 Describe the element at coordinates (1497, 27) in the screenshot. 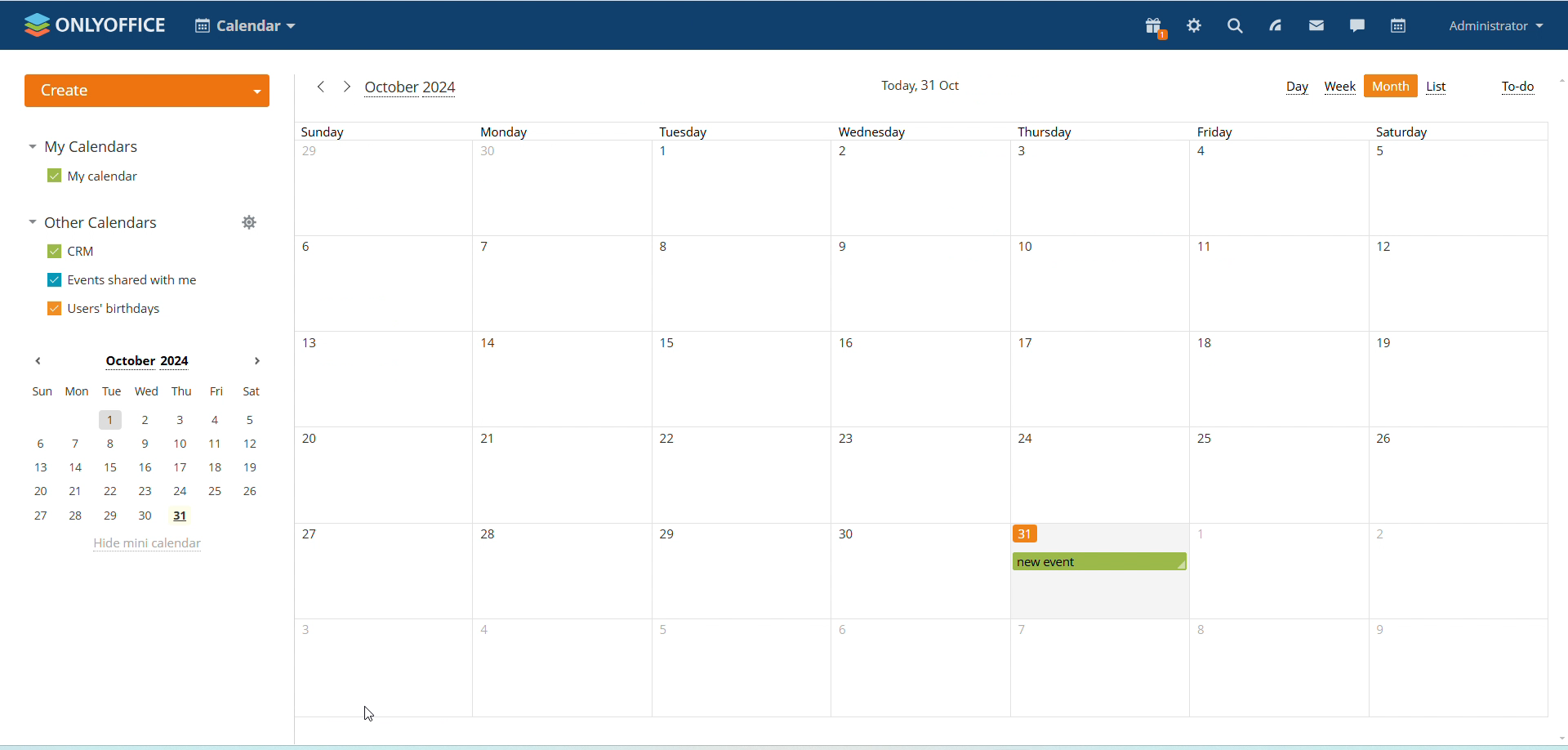

I see `administrator` at that location.